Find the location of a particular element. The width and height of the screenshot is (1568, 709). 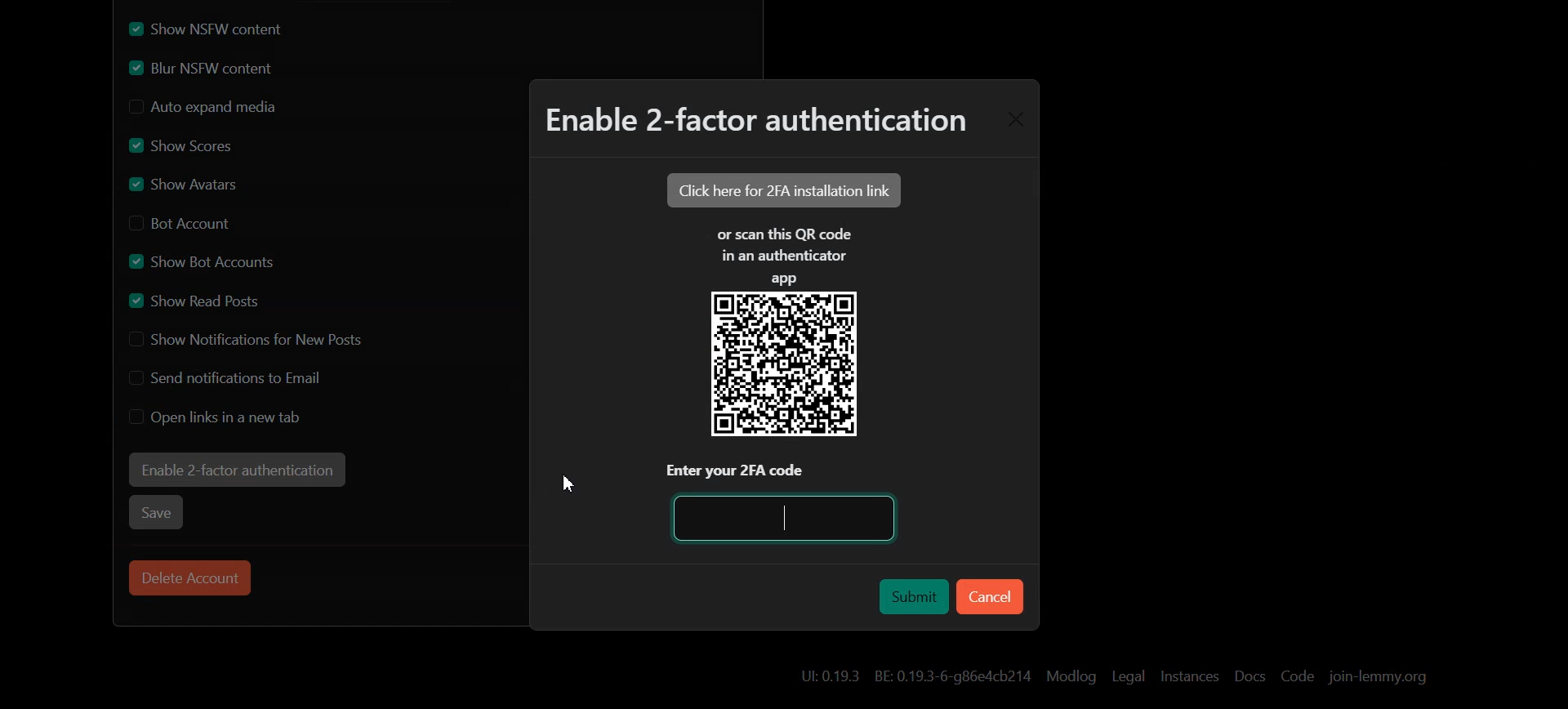

Disable Send notification to Email is located at coordinates (232, 377).